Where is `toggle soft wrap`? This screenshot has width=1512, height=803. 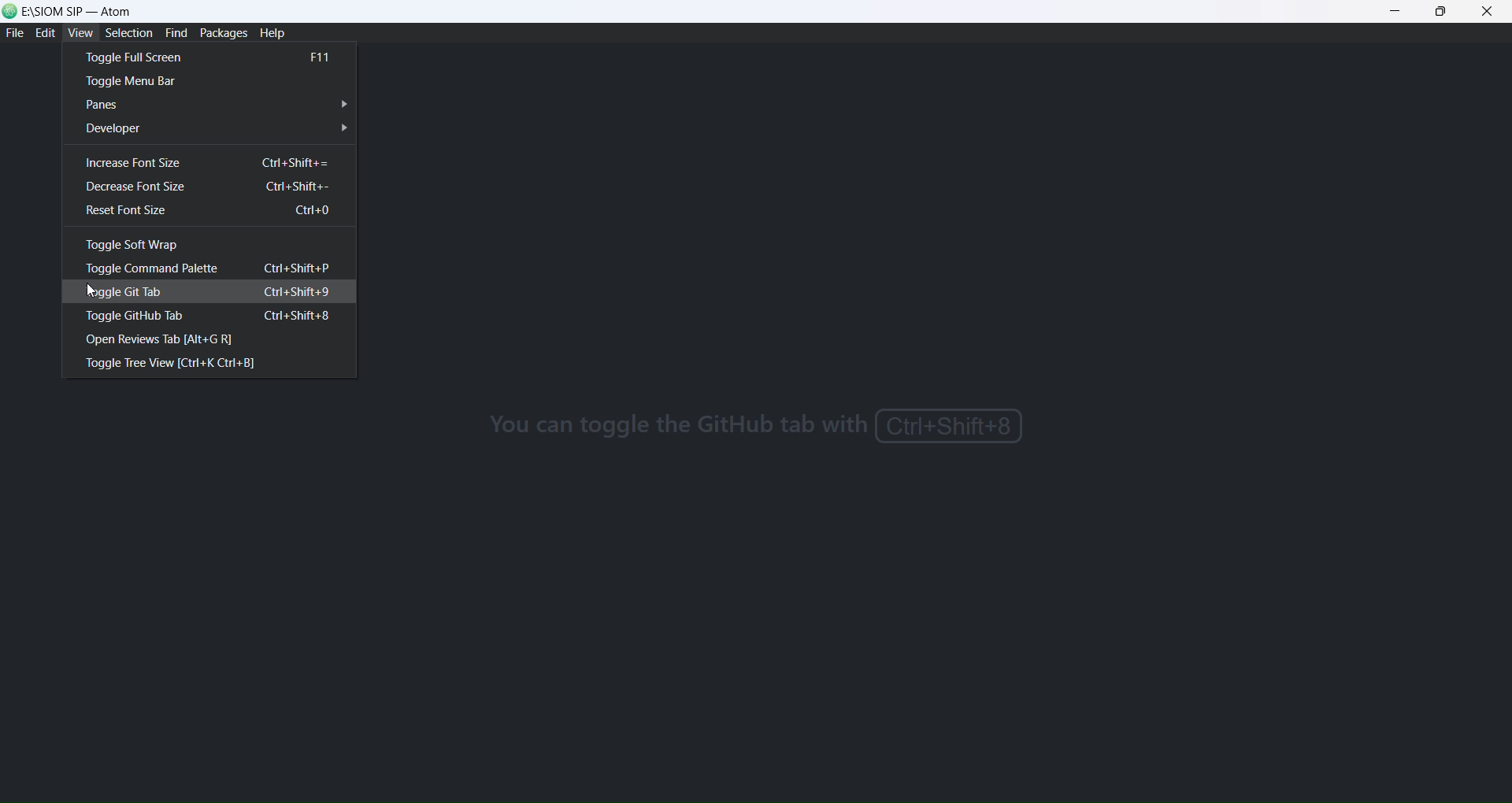 toggle soft wrap is located at coordinates (133, 245).